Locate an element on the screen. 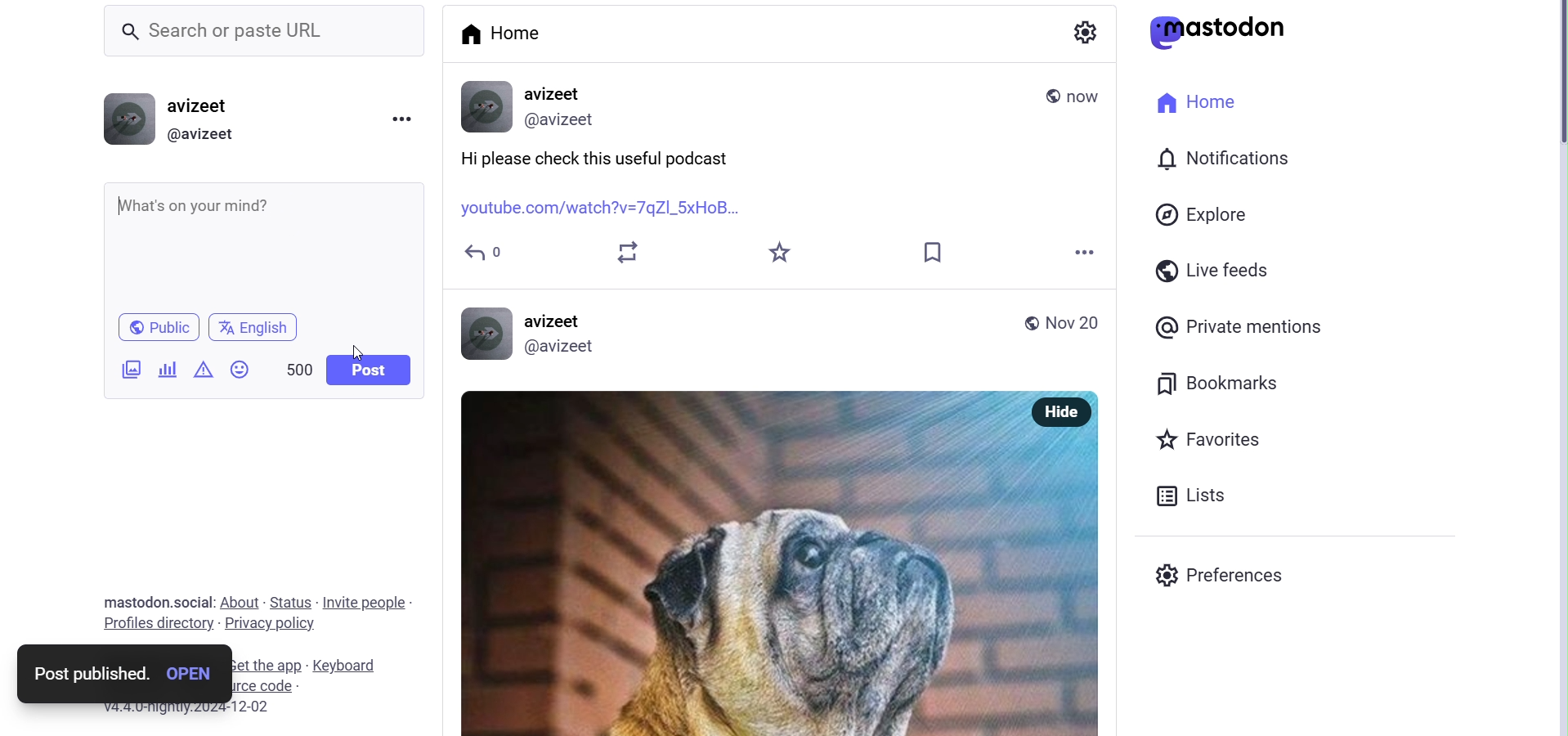 The width and height of the screenshot is (1568, 736). lists is located at coordinates (1195, 491).